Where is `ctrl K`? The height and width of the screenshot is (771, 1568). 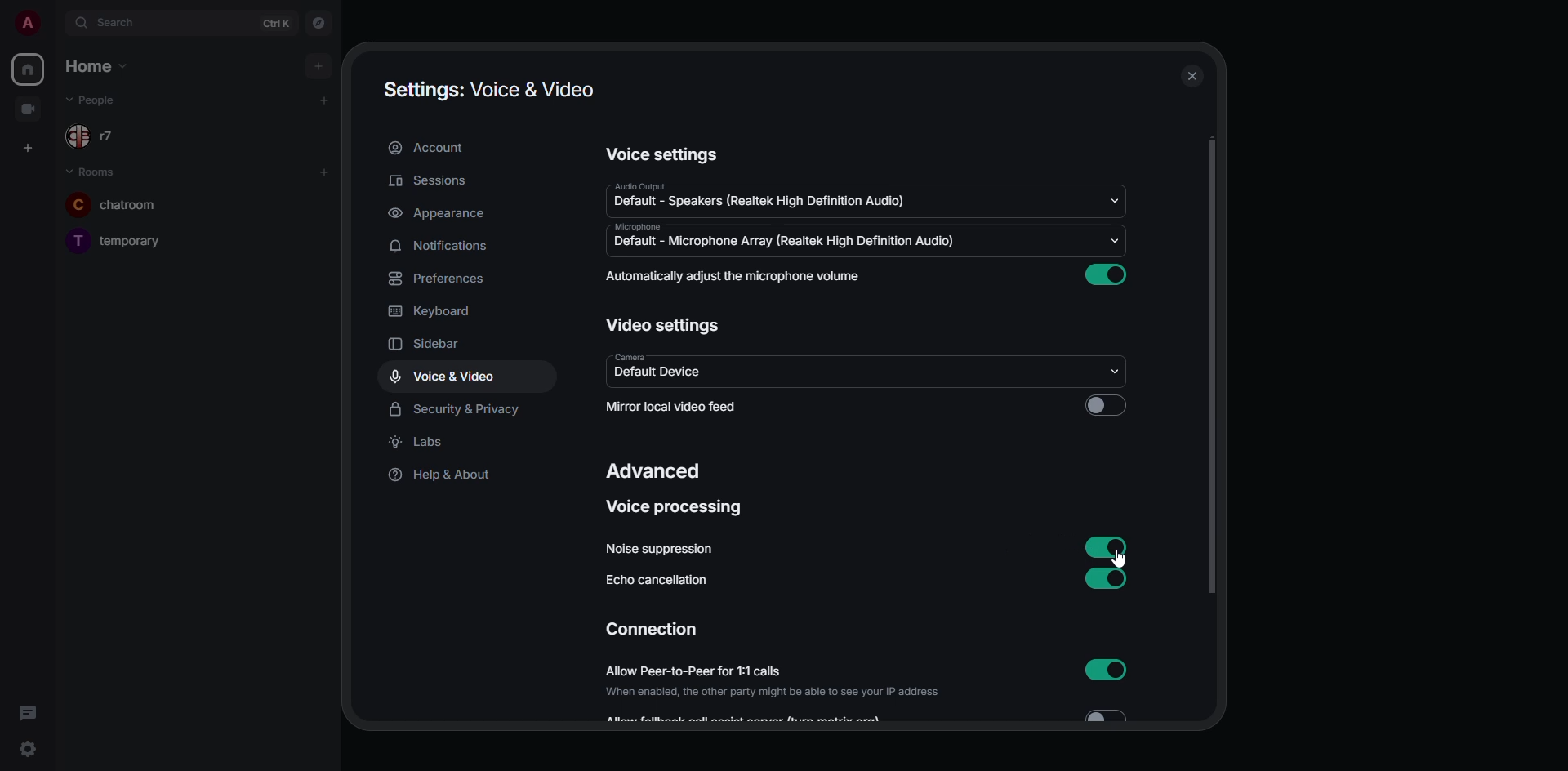 ctrl K is located at coordinates (277, 24).